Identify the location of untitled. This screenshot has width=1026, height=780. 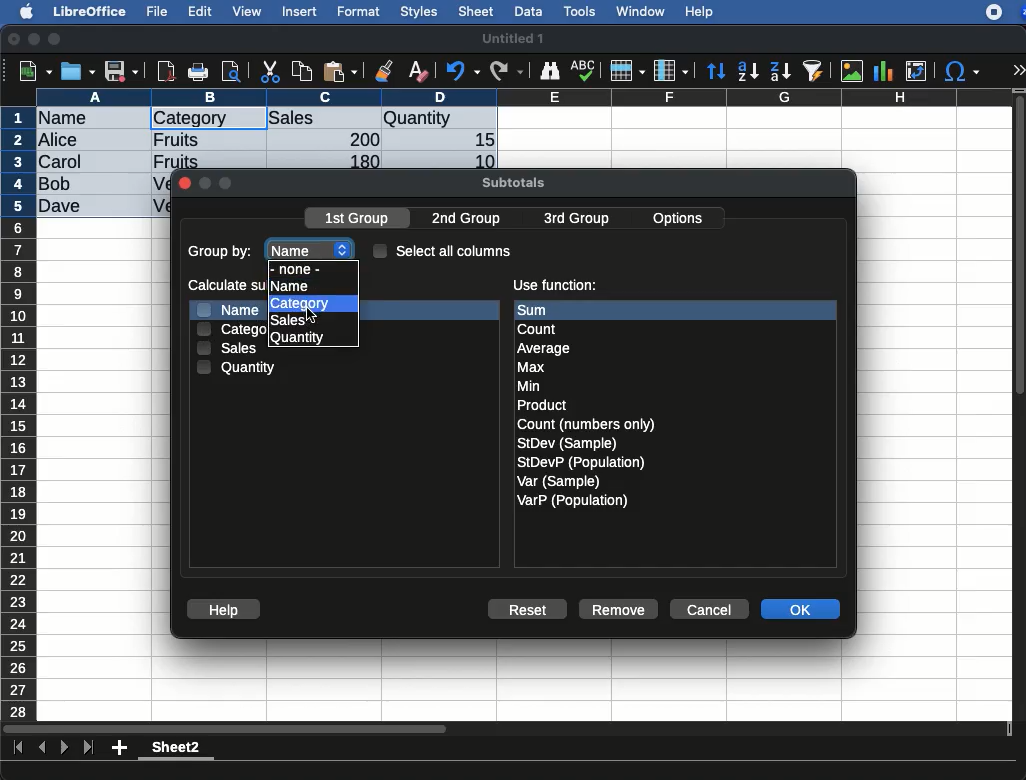
(512, 39).